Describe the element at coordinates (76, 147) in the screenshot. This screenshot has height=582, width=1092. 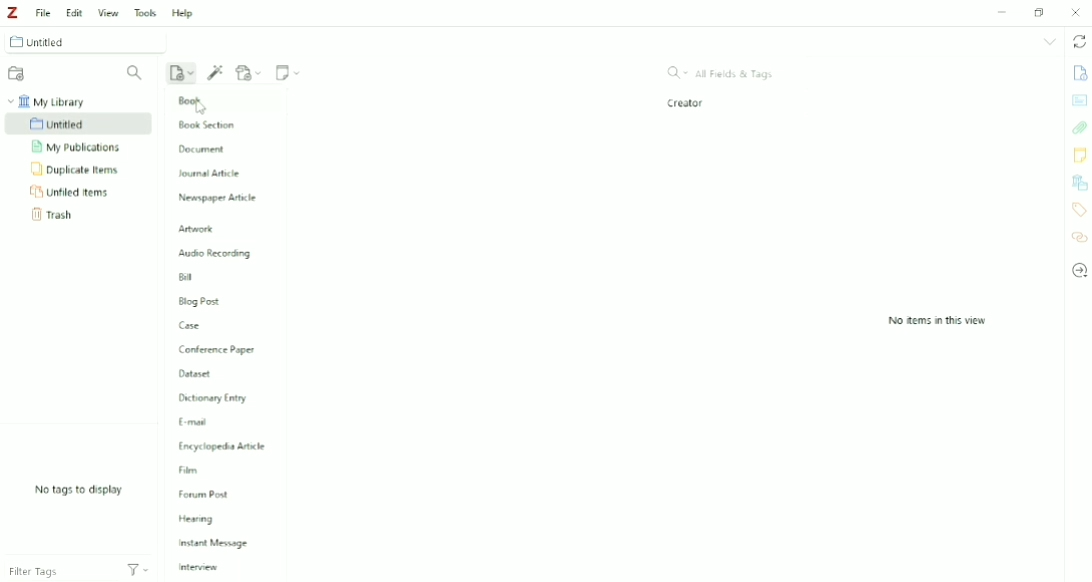
I see `My Publications` at that location.